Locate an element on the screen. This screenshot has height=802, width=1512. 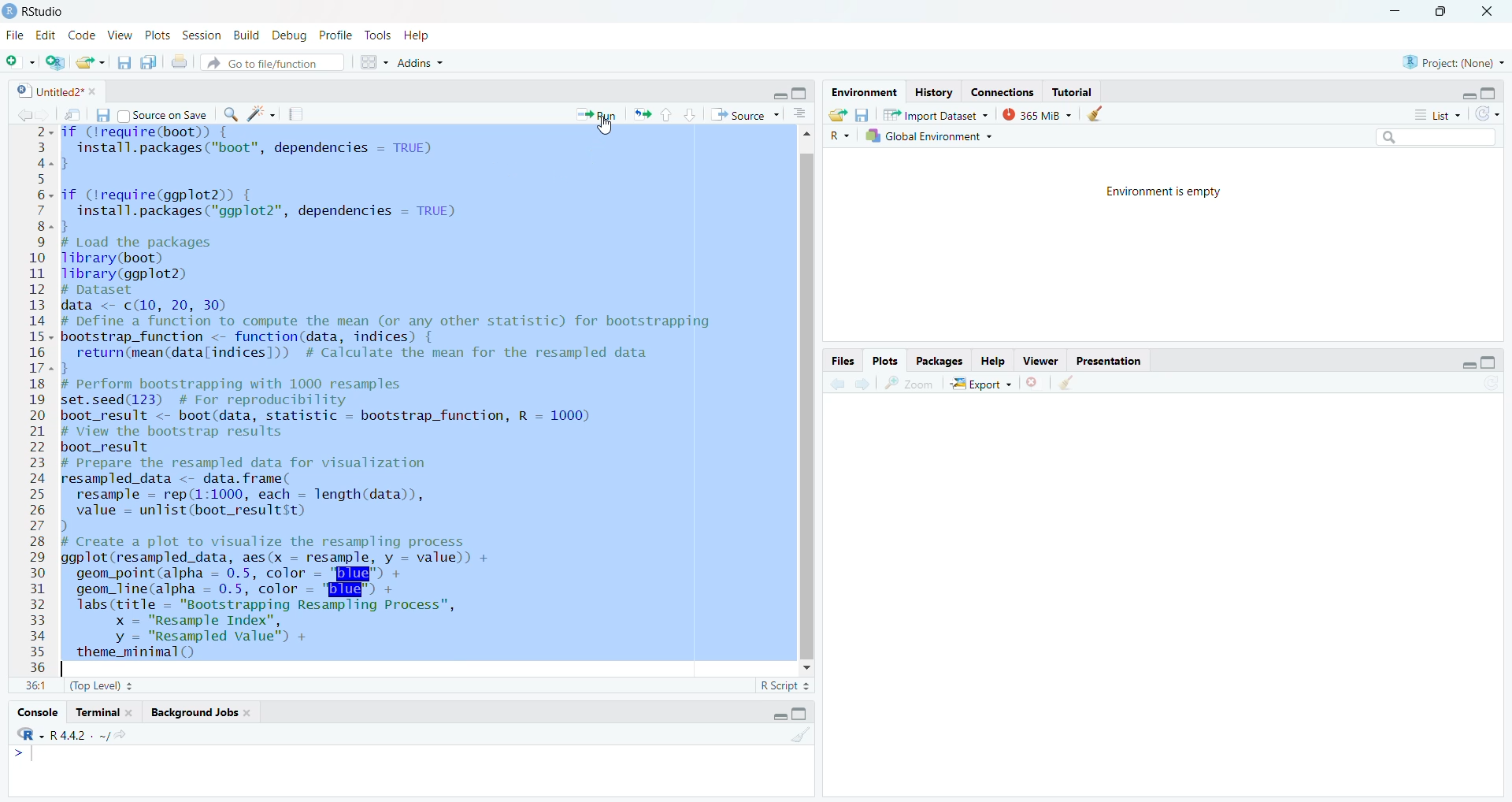
install.packages ("boot", dependencies = TRUE)
}
if (lrequire(ggplot2)) {
install.packages("ggplot2", dependencies = TRUE)
3
# Load the packages
Tibrary(boot)
Tibrary(ggplot2)
# Dataset
data <- c(10, 20, 30)
# Define a function to compute the mean (or any other statistic) for bootstrapping
bootstrap_function <- function(data, indices) {
return(mean(datalindices])) # Calculate the mean for the resampled data
3
# perform bootstrapping with 1000 resamples
set.seed(123) # For reproducibility
boot_result <- boot(data, statistic = bootstrap_function, R = 1000)
# View the bootstrap results
boot_result
# Prepare the resampled data for visualization
resampled_data <- data. frame(
resample = rep(1:1000, each = Tlength(data)),
value = unlist(boot_resultst)
)
# Create a plot to visualize the resampling process
ggplot(resampled_data, aes(x = resample, y = value)) +
geom_point(alpha = 0.5, color =" |") +
geom_line(alpha = 0.5, color = " I") +
Tabs(title = "Bootstrapping Resampling Process",
x = "Resample Index",
y = "Resampled value") + 1
theme_minimal () is located at coordinates (424, 393).